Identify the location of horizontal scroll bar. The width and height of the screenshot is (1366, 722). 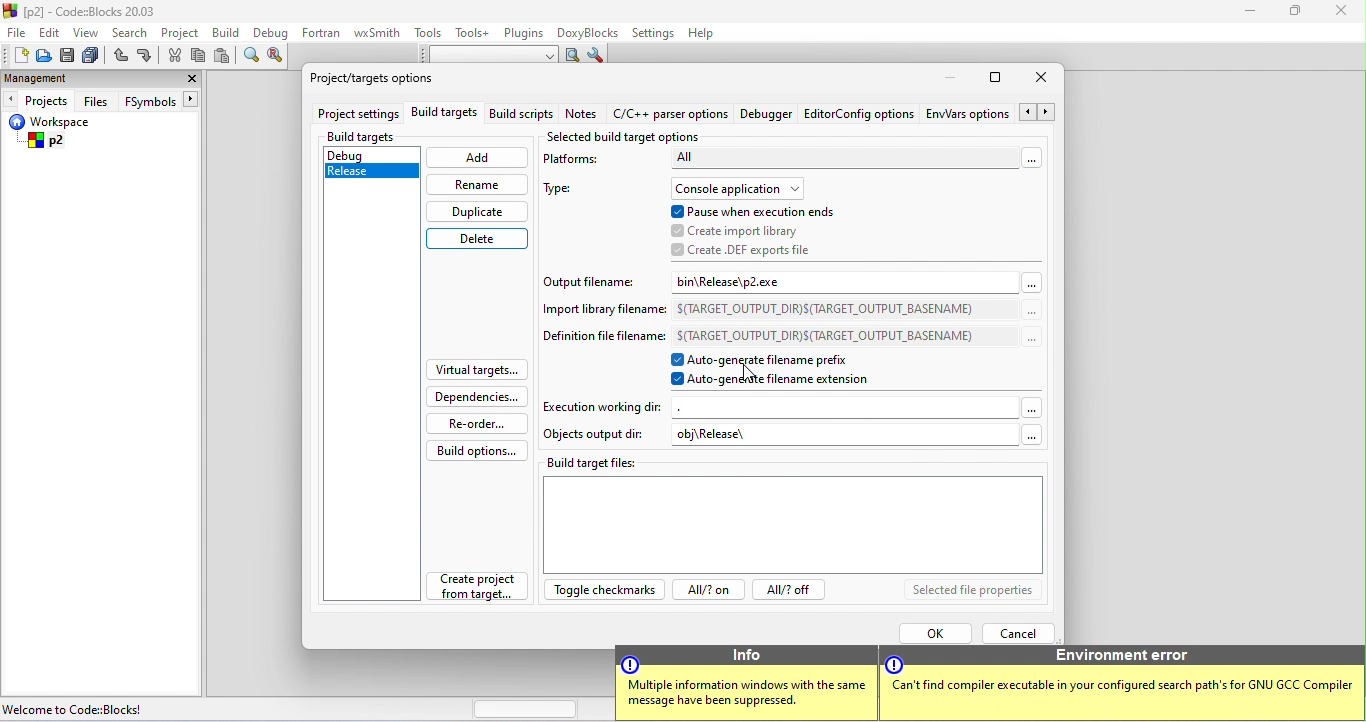
(526, 709).